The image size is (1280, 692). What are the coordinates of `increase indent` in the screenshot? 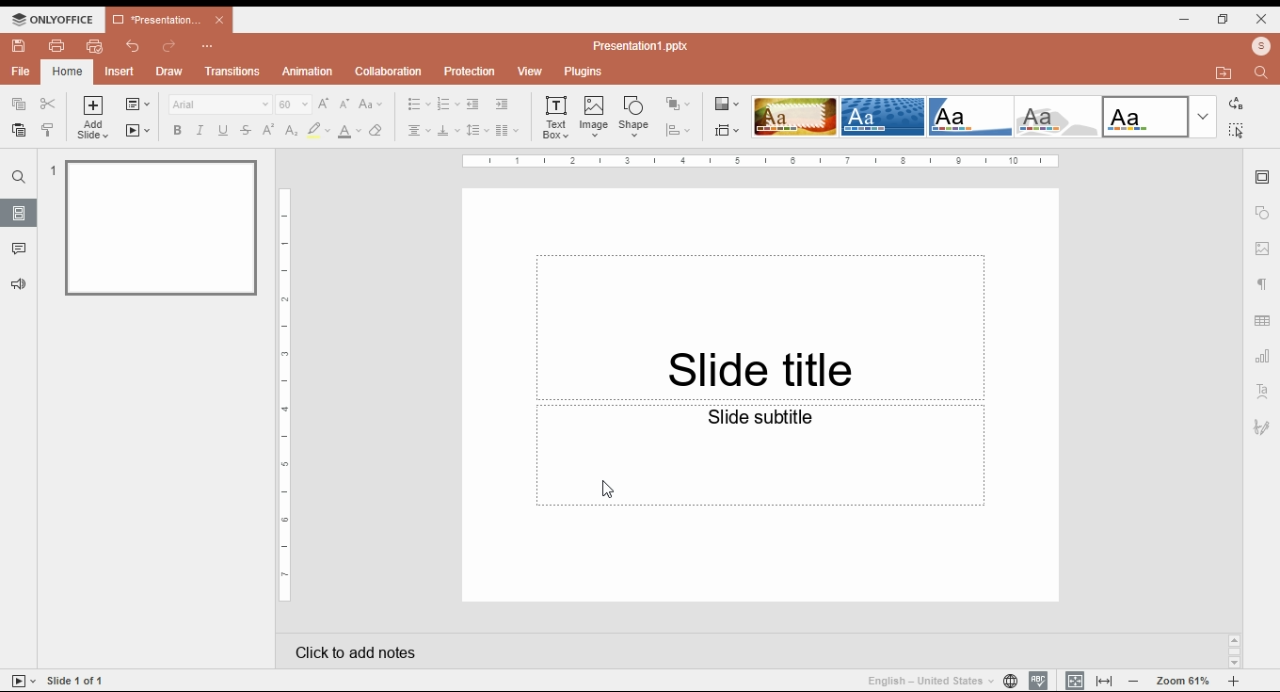 It's located at (501, 104).